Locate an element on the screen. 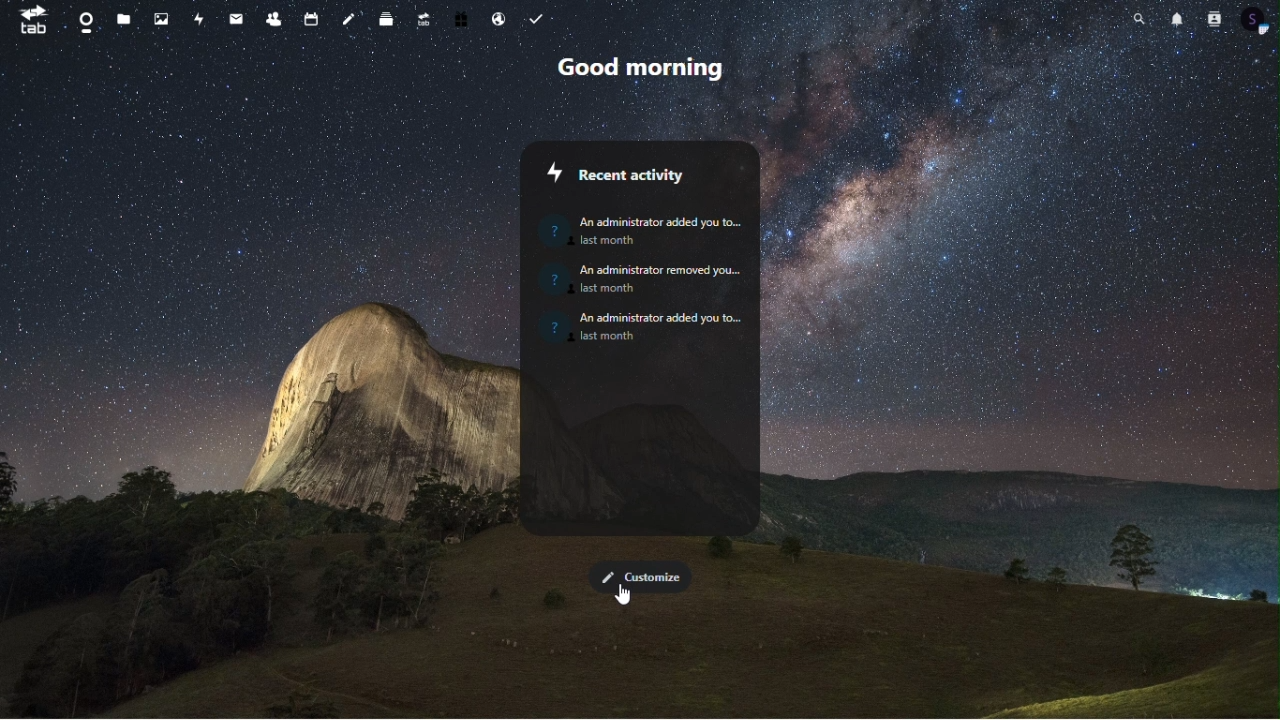 The width and height of the screenshot is (1280, 720). note is located at coordinates (349, 17).